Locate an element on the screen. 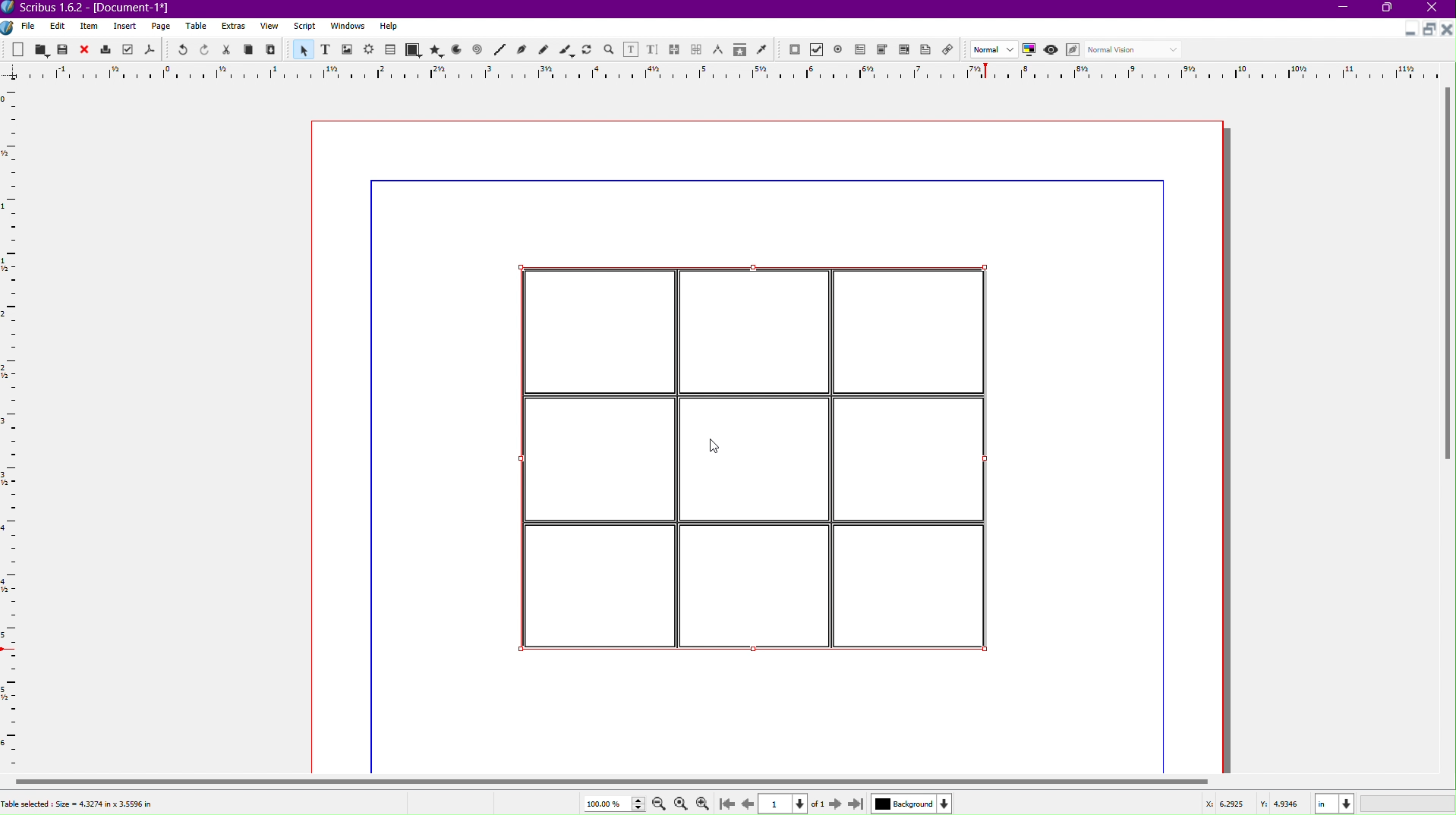 This screenshot has height=815, width=1456. Extras is located at coordinates (235, 27).